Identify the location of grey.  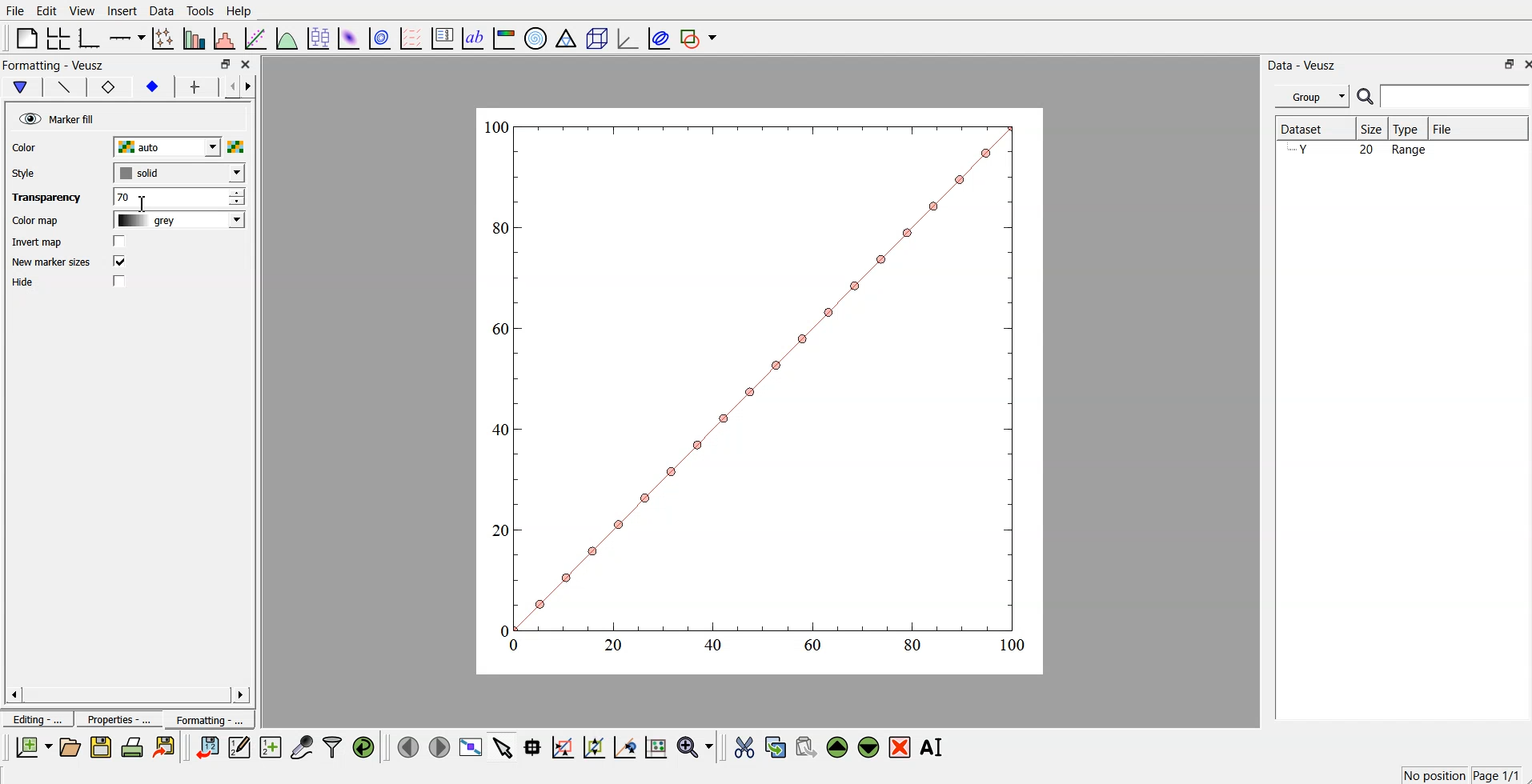
(175, 222).